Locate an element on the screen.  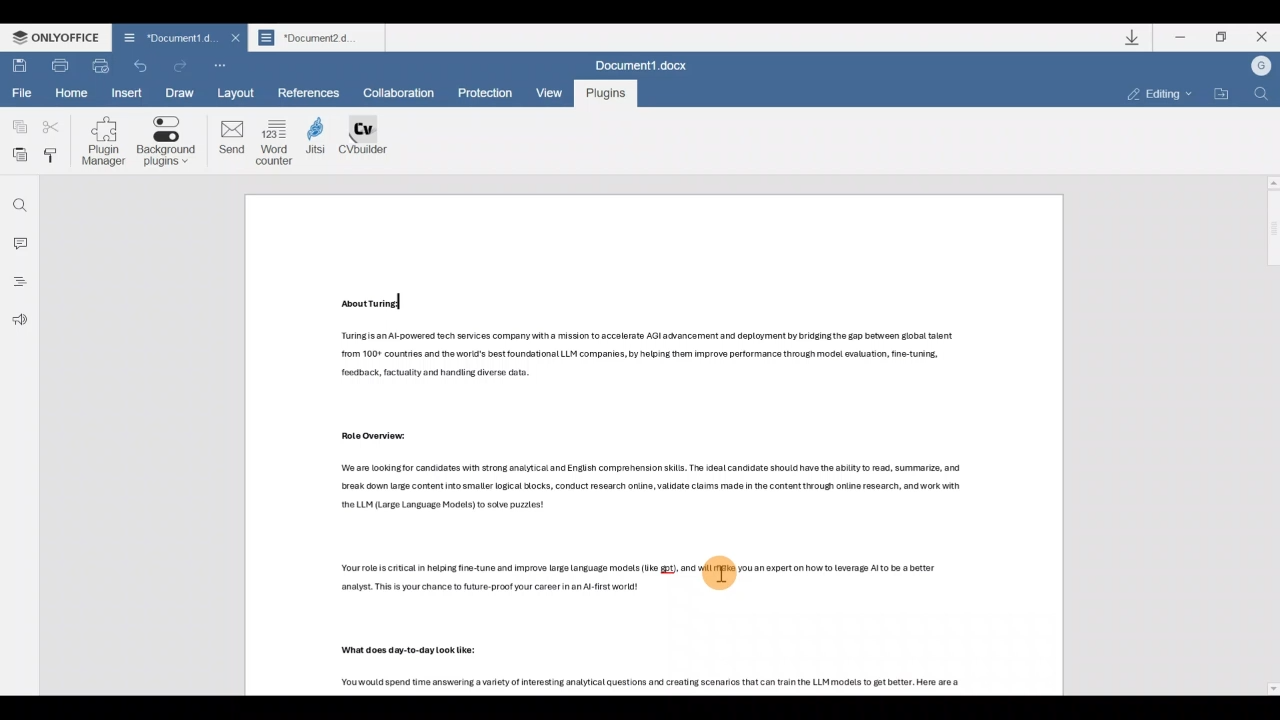
References is located at coordinates (310, 92).